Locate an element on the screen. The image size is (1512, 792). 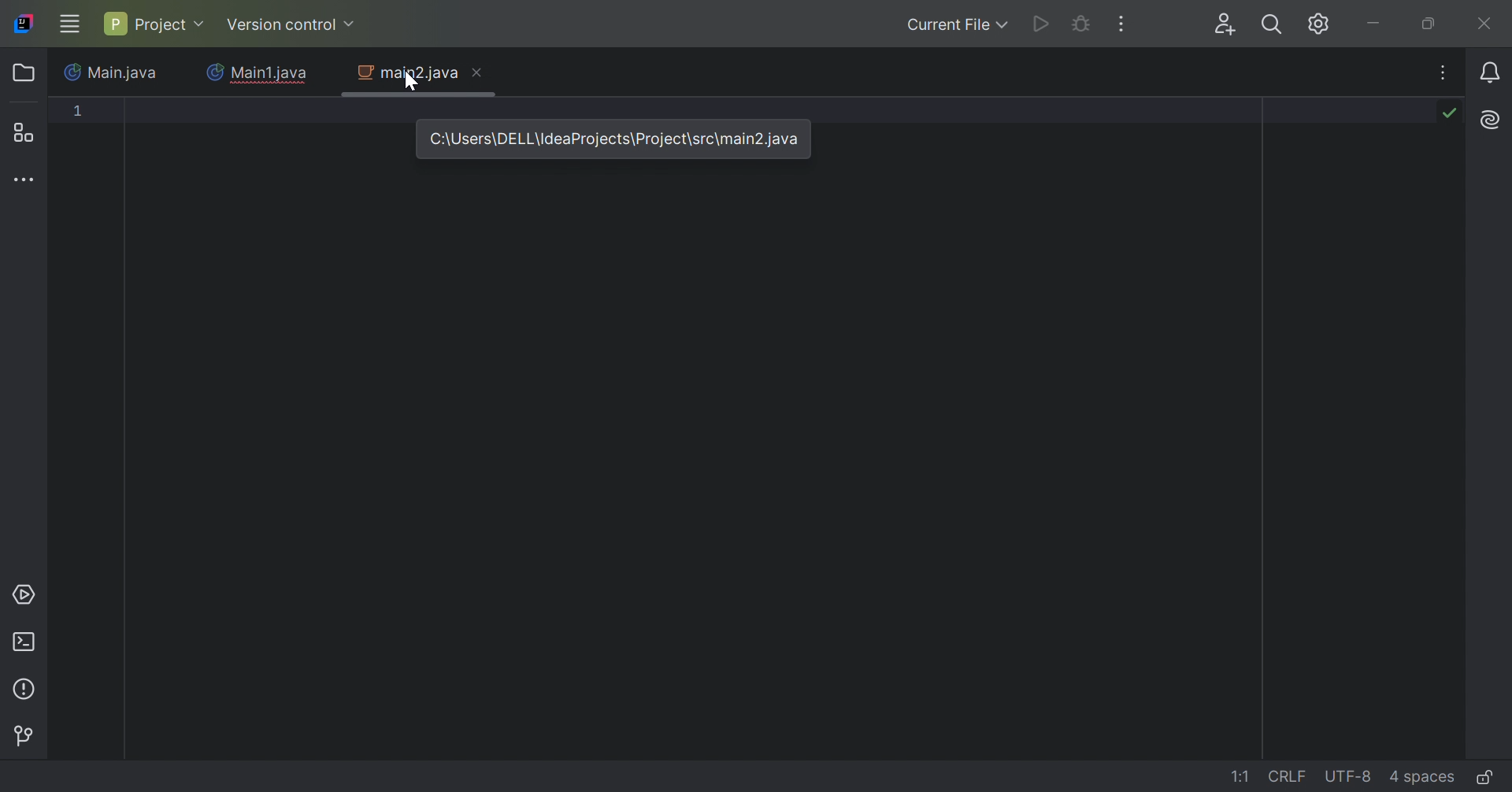
Minimize is located at coordinates (1373, 26).